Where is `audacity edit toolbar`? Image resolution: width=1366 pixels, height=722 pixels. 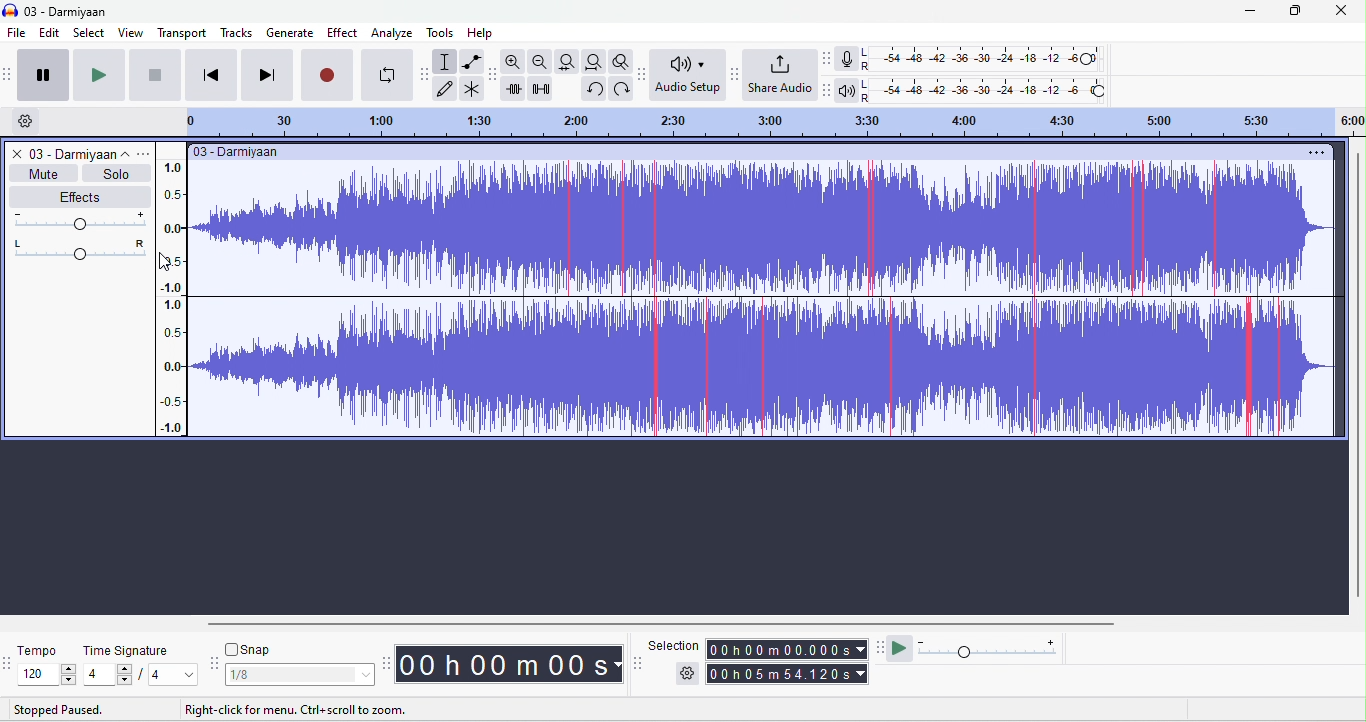 audacity edit toolbar is located at coordinates (493, 75).